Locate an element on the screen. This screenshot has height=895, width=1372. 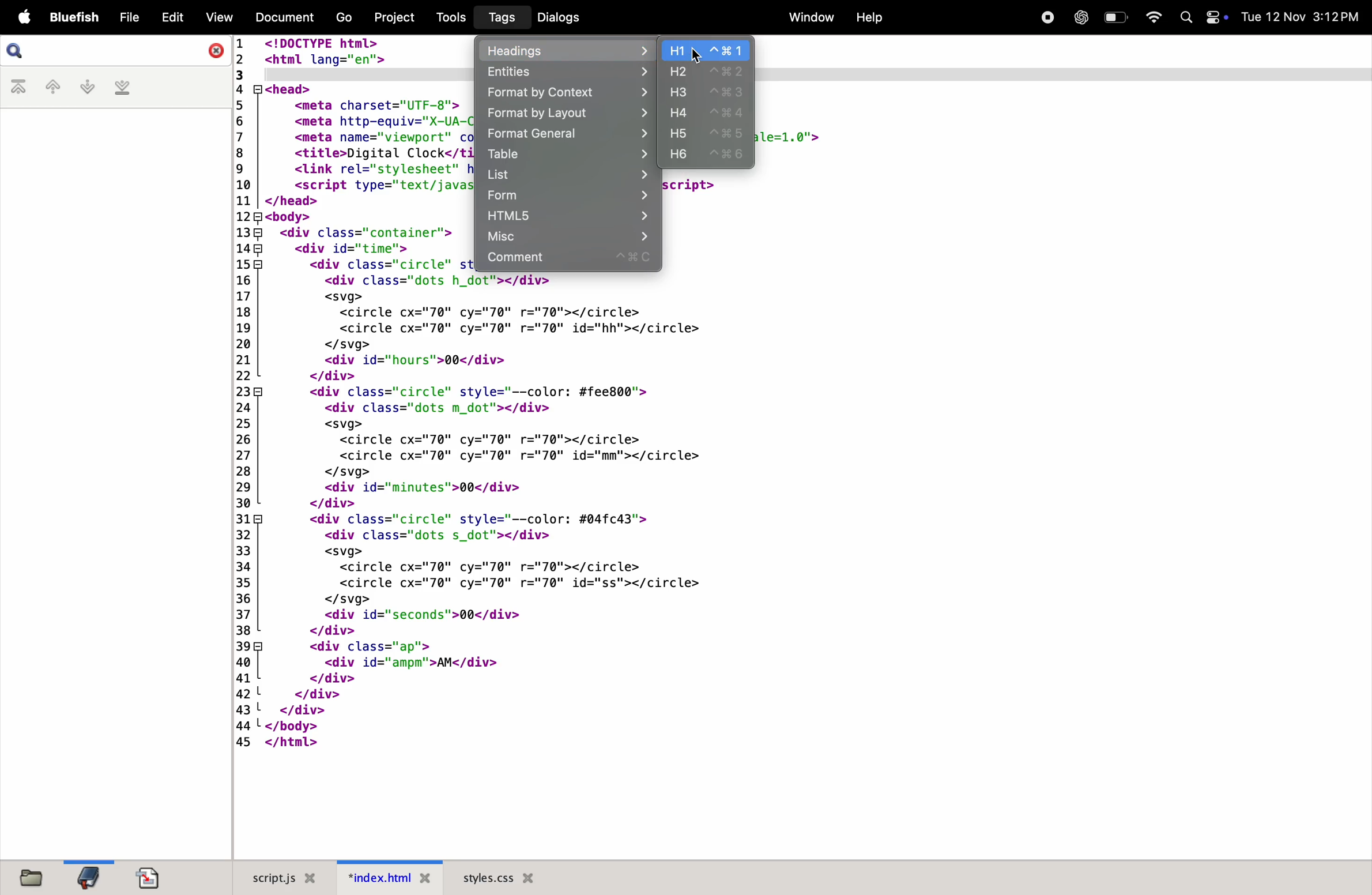
H6 is located at coordinates (710, 157).